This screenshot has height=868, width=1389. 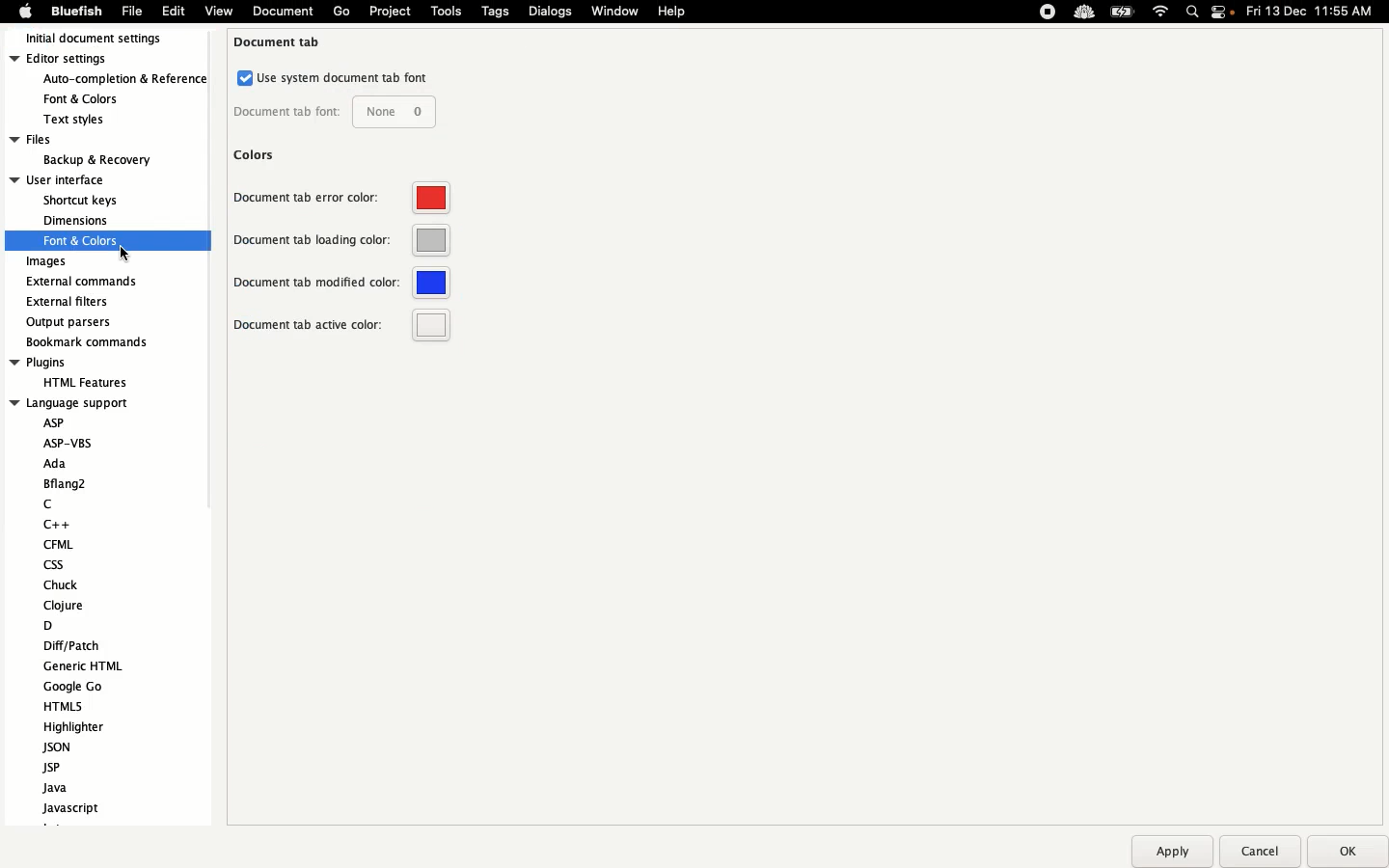 I want to click on Initial document settings, so click(x=102, y=40).